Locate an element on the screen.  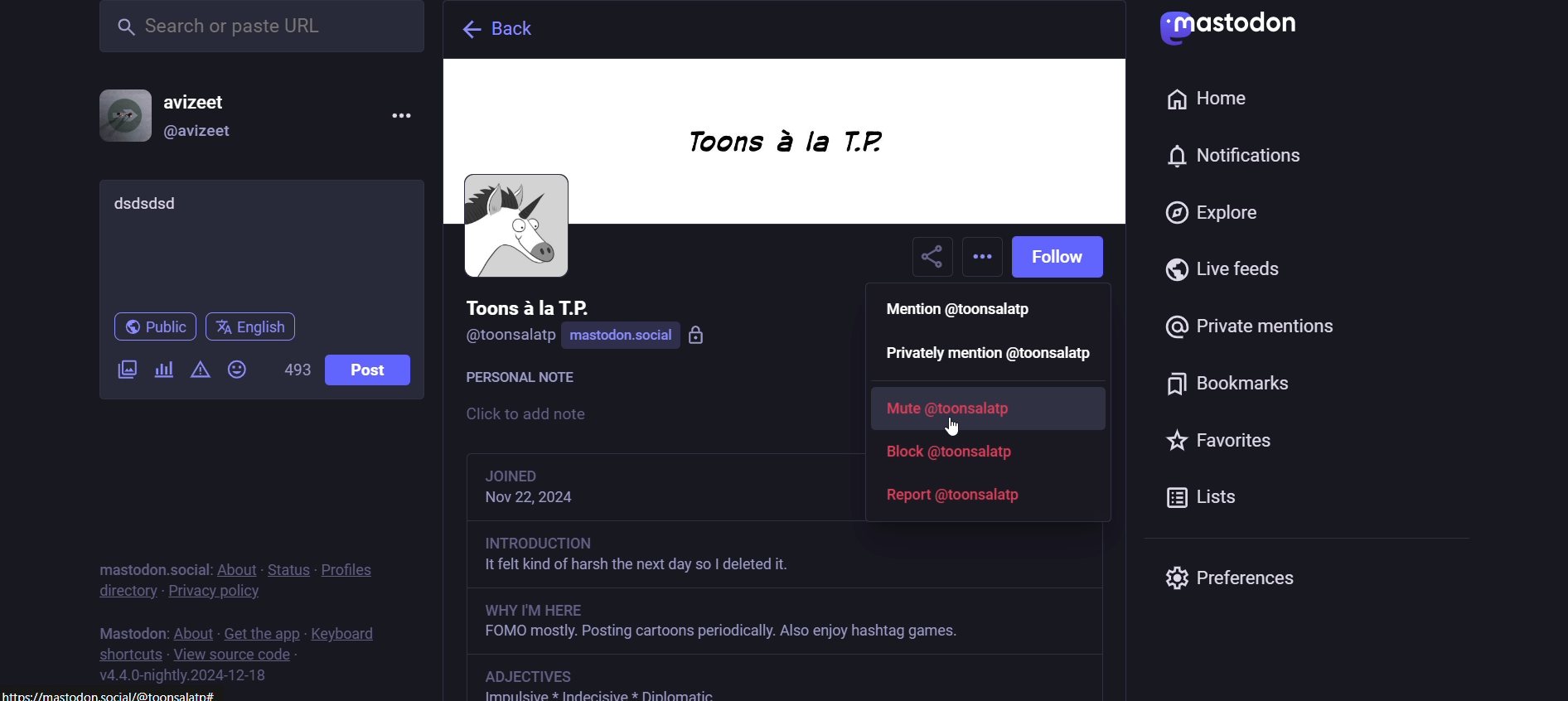
add a image is located at coordinates (128, 371).